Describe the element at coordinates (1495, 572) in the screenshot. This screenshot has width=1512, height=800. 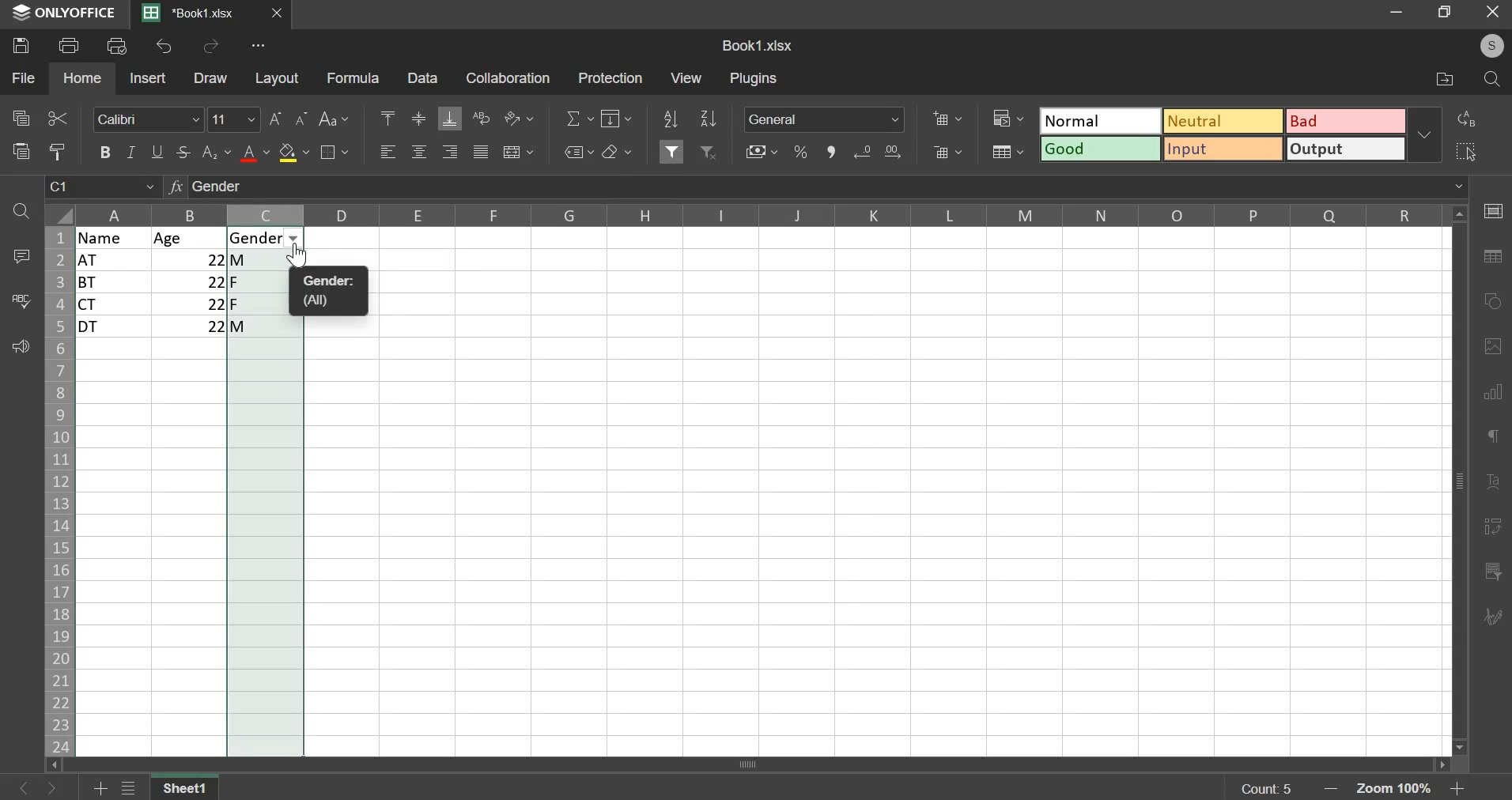
I see `slicer` at that location.